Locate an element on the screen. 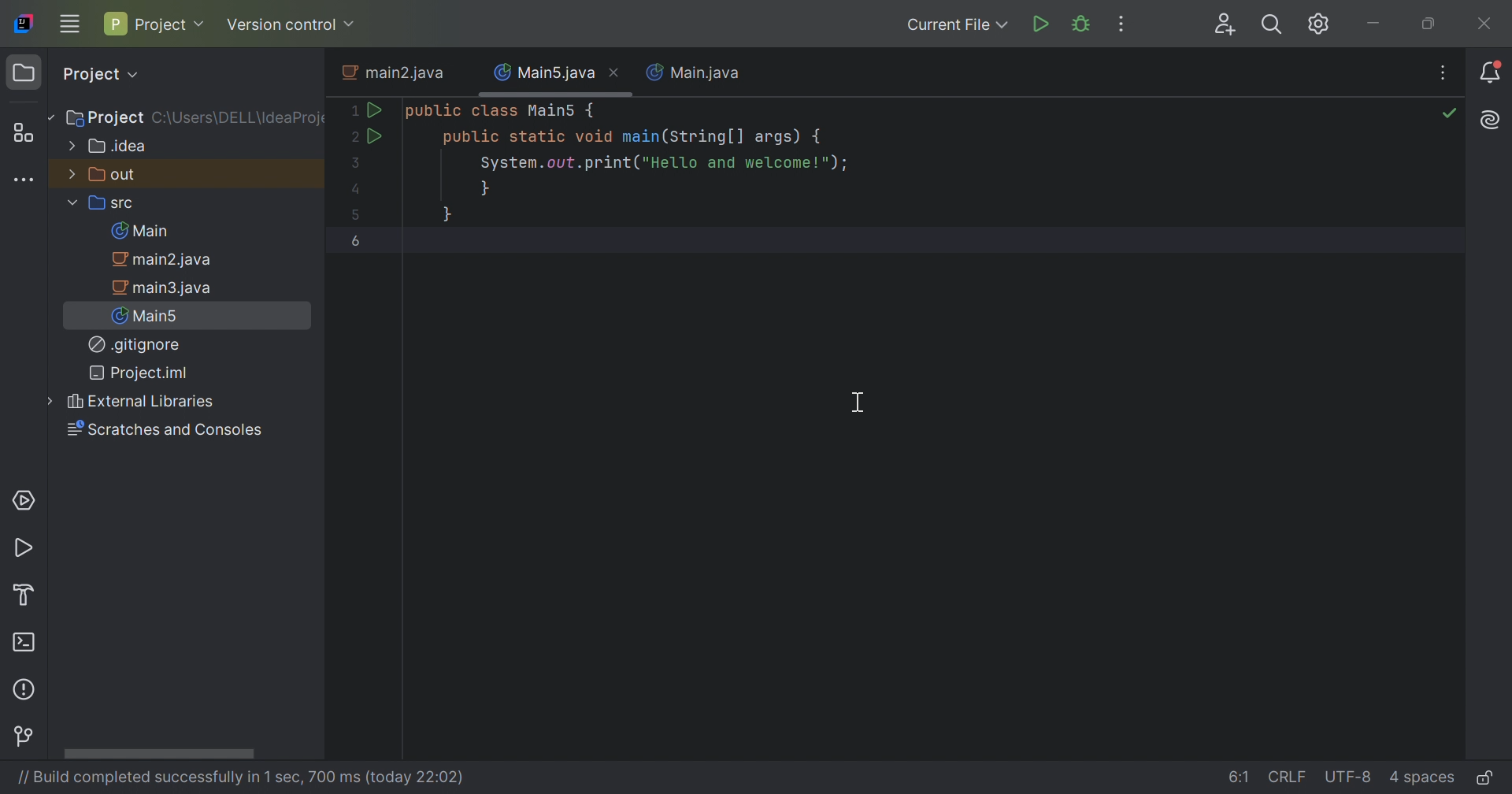 This screenshot has width=1512, height=794. Project is located at coordinates (103, 119).